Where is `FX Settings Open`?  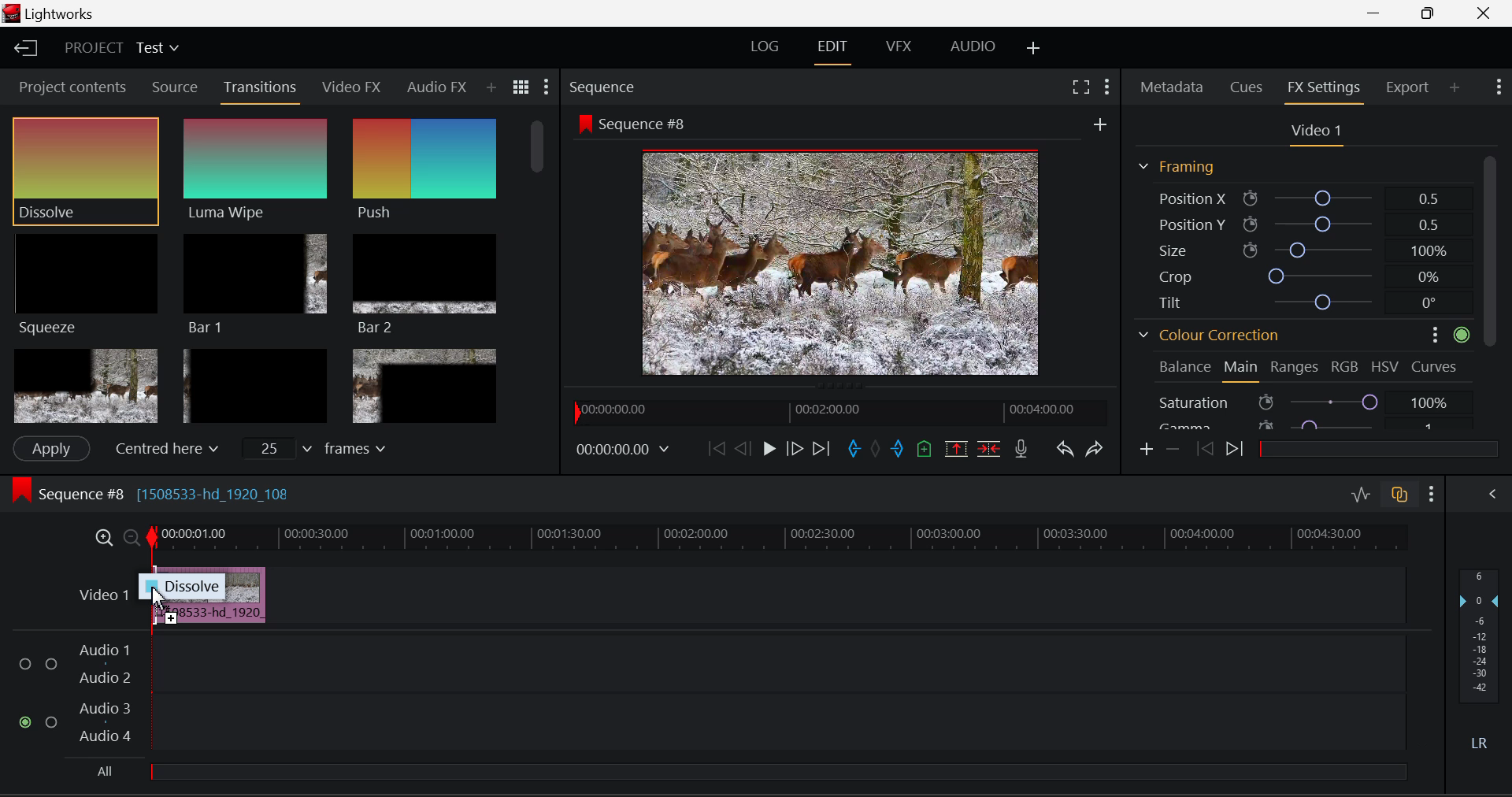
FX Settings Open is located at coordinates (1323, 89).